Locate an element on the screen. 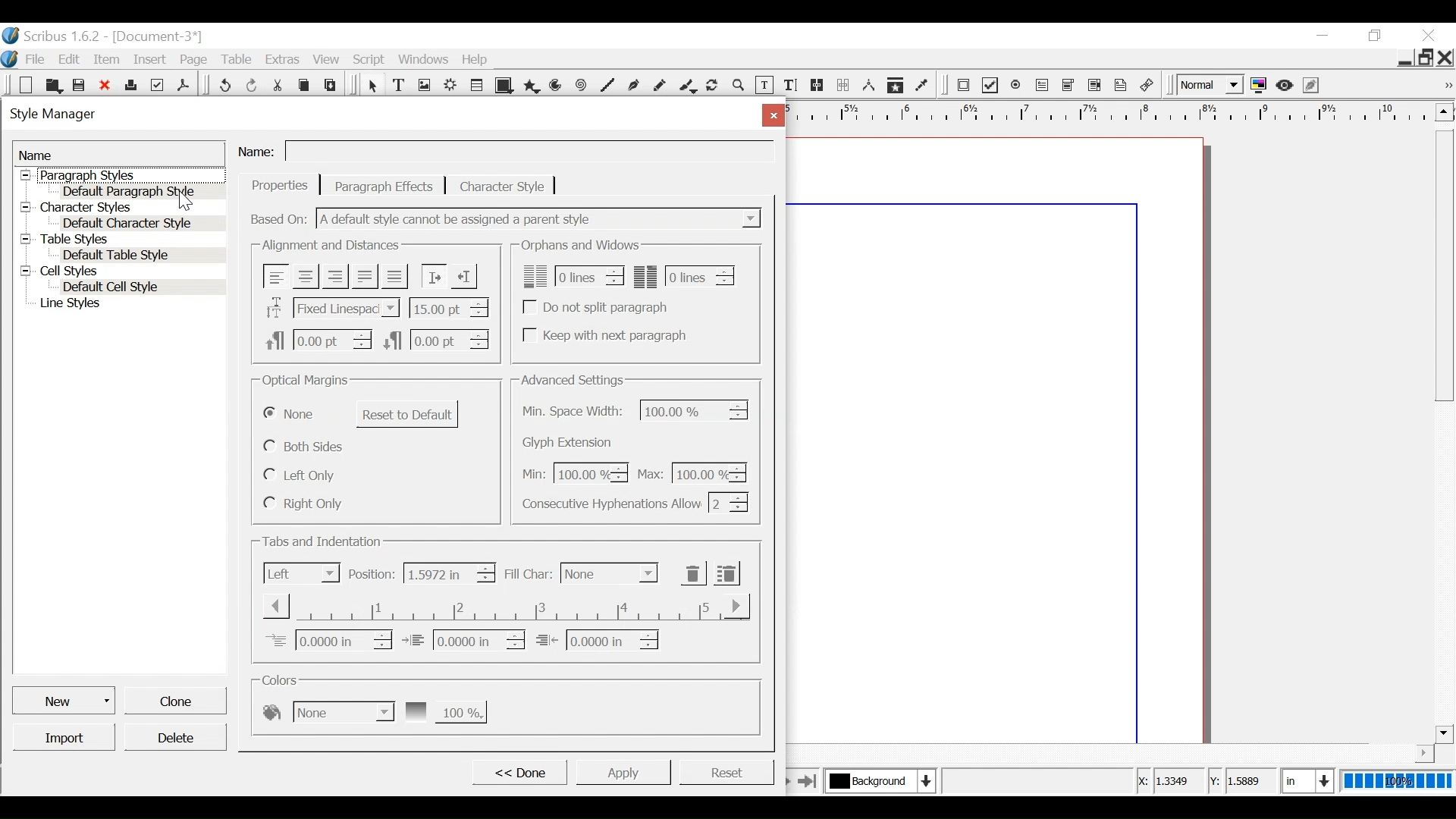  Ensure that the last line of the paragraph wont end up sepaerated is located at coordinates (685, 276).